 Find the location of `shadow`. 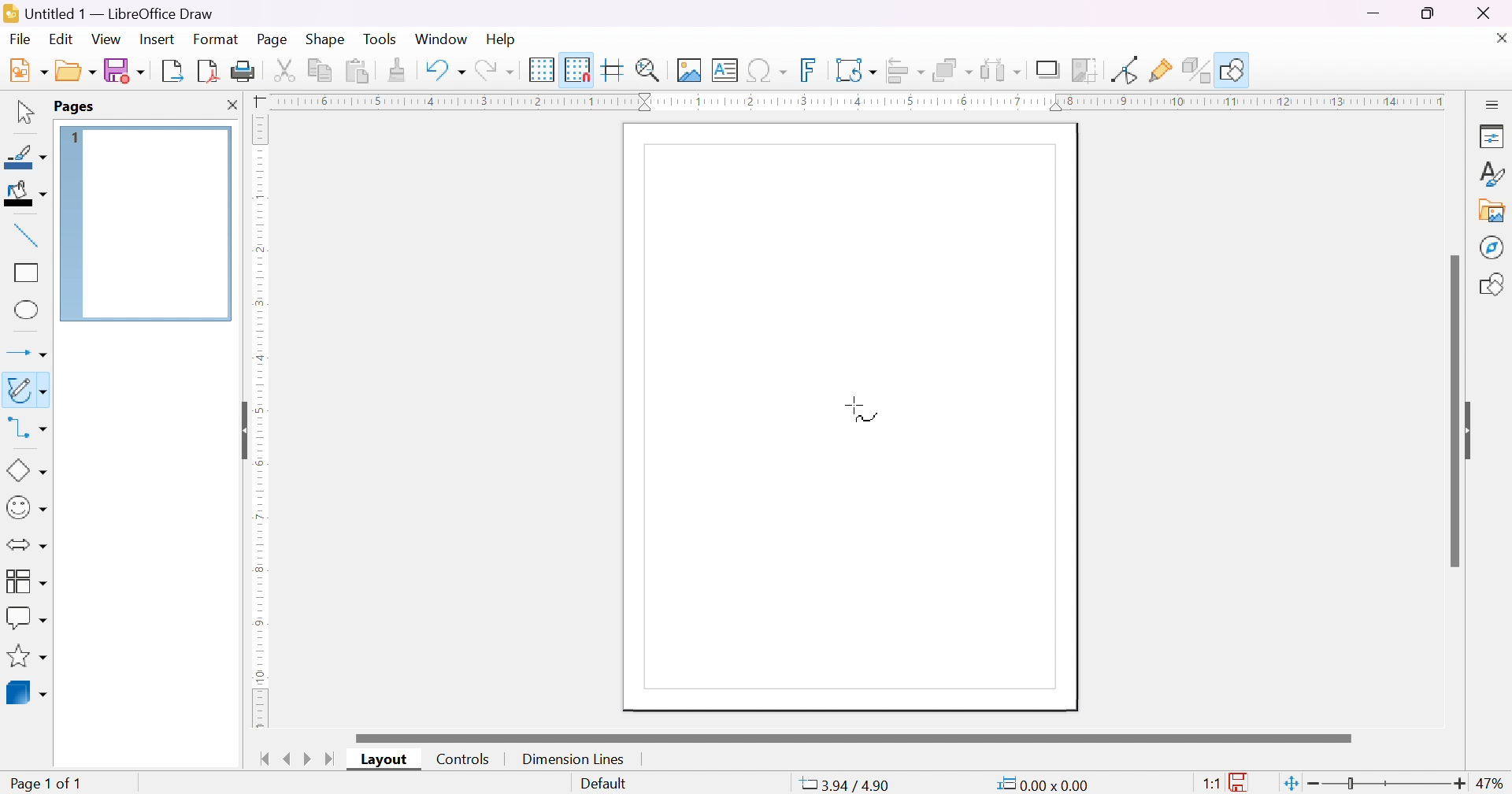

shadow is located at coordinates (1049, 71).